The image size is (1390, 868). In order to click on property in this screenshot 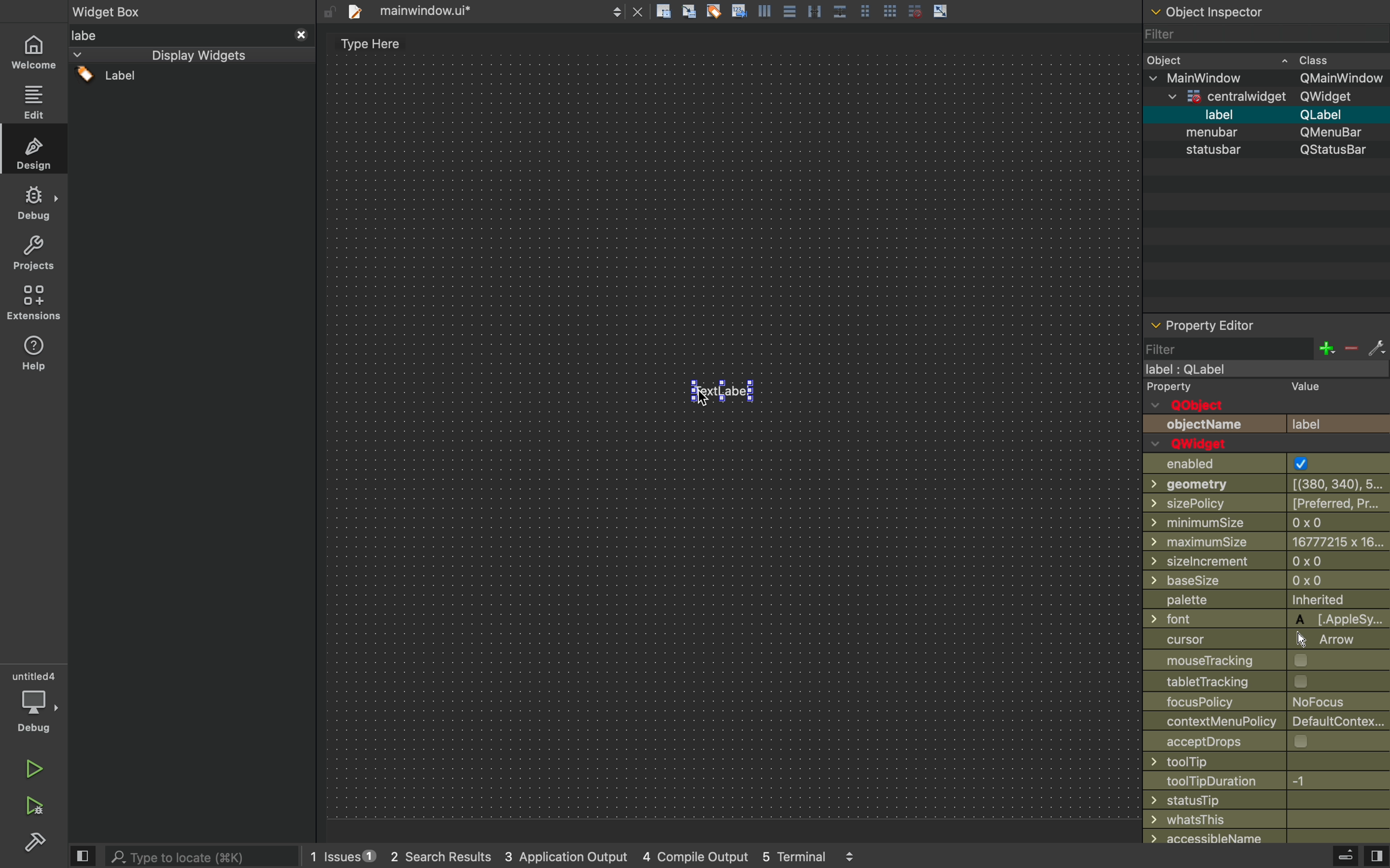, I will do `click(1171, 387)`.